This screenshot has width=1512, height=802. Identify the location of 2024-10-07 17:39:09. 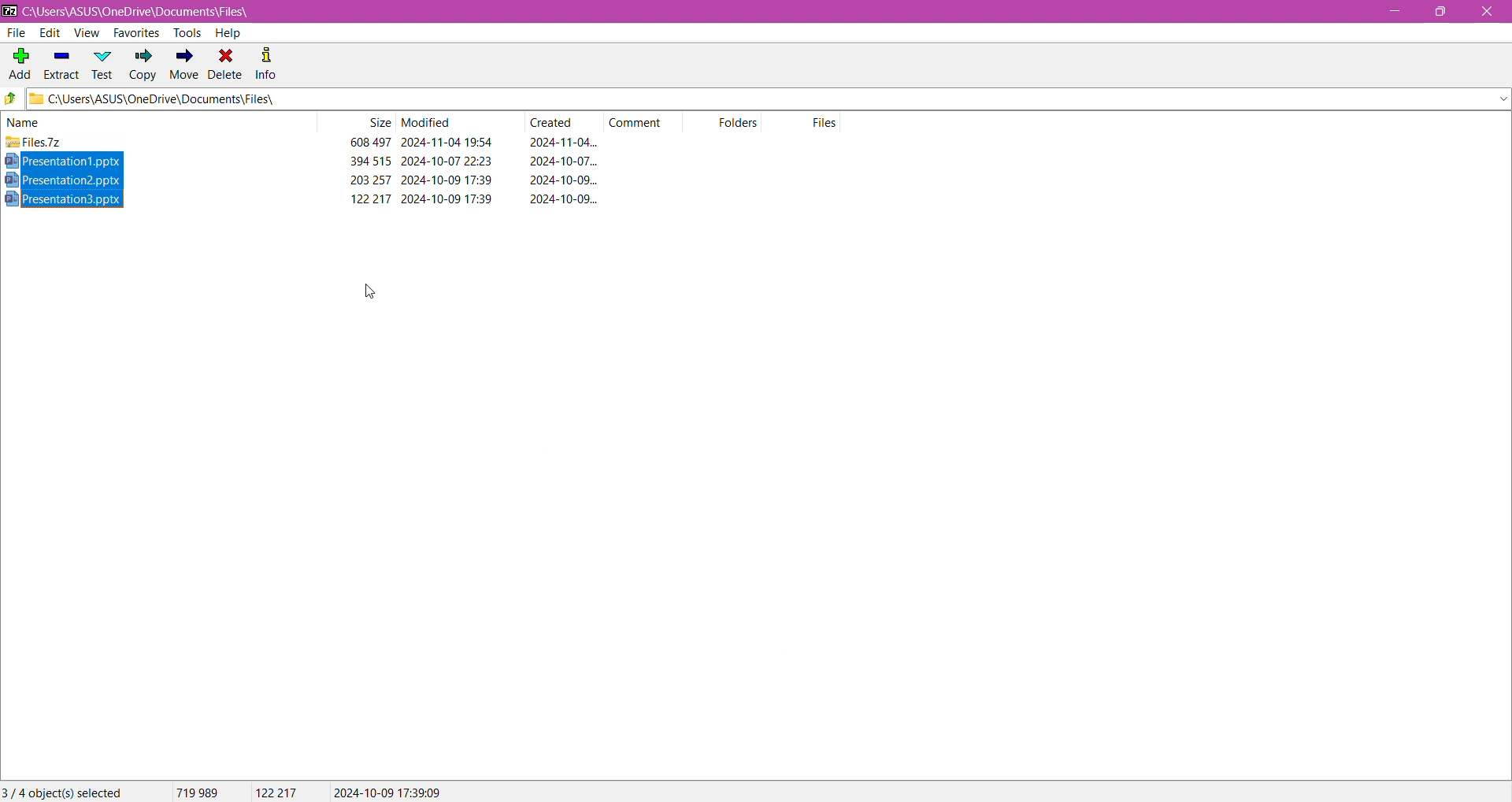
(387, 791).